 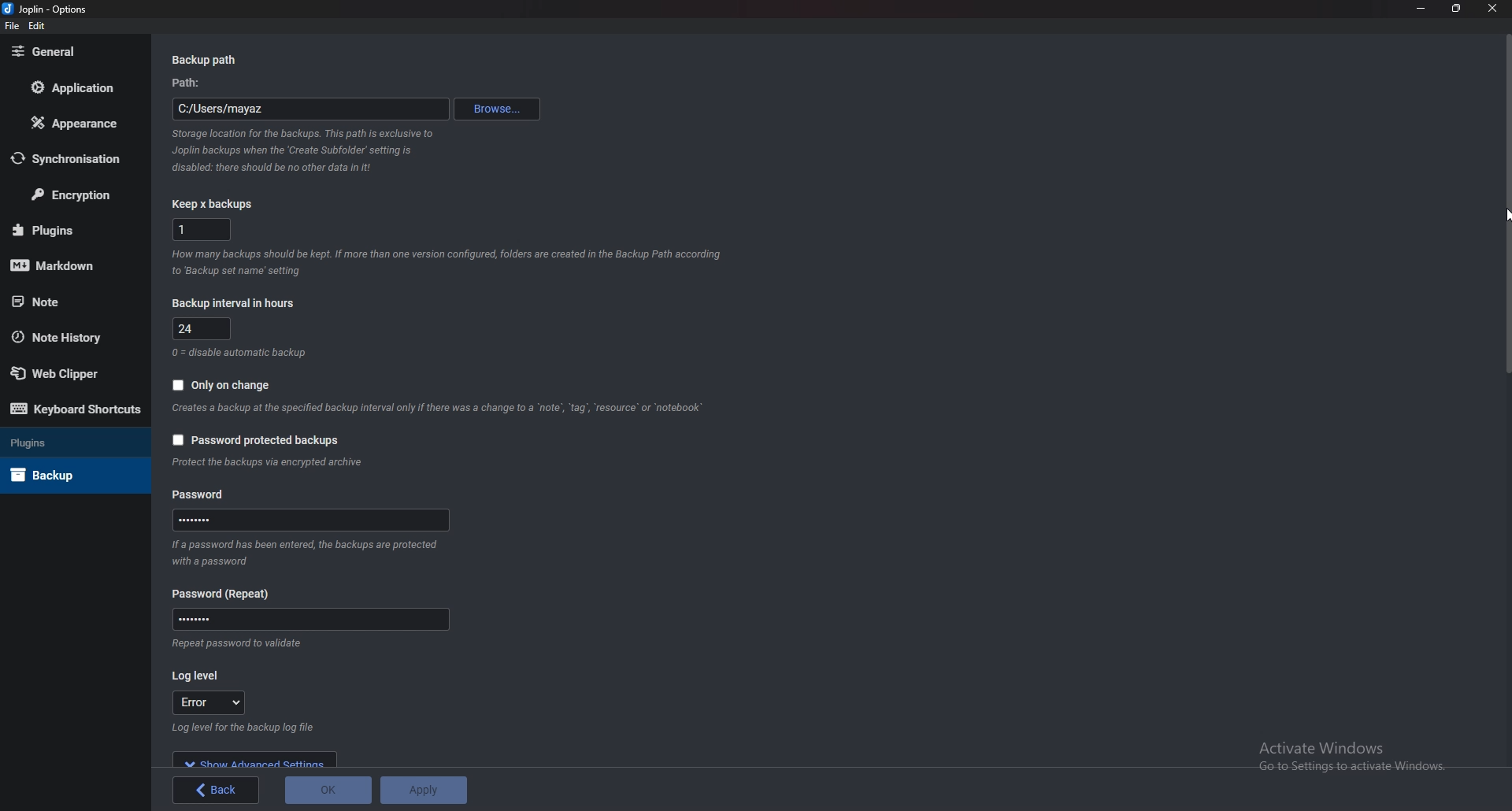 What do you see at coordinates (1508, 394) in the screenshot?
I see `scroll bar` at bounding box center [1508, 394].